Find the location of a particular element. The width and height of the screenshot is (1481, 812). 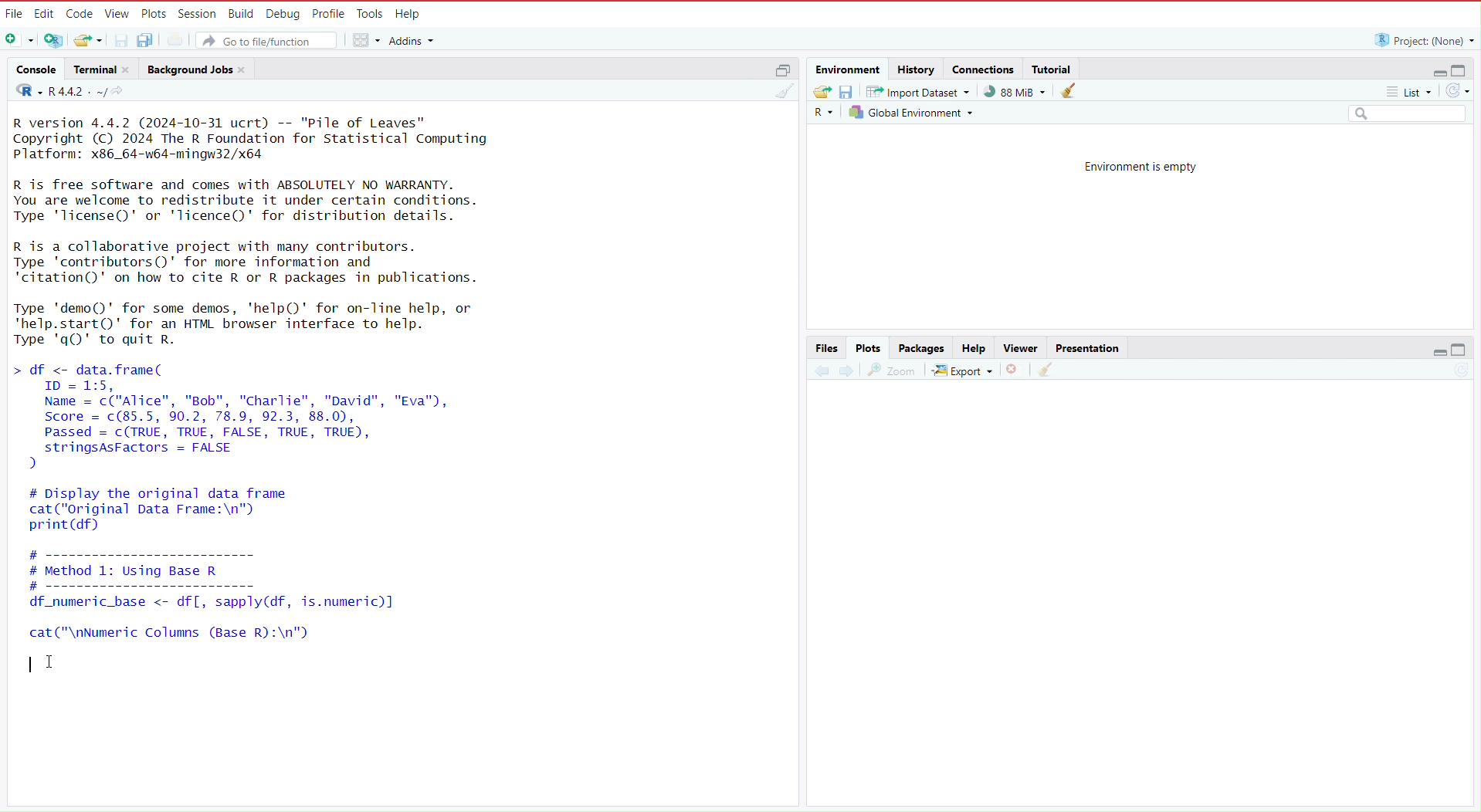

Project: (None) is located at coordinates (1421, 39).